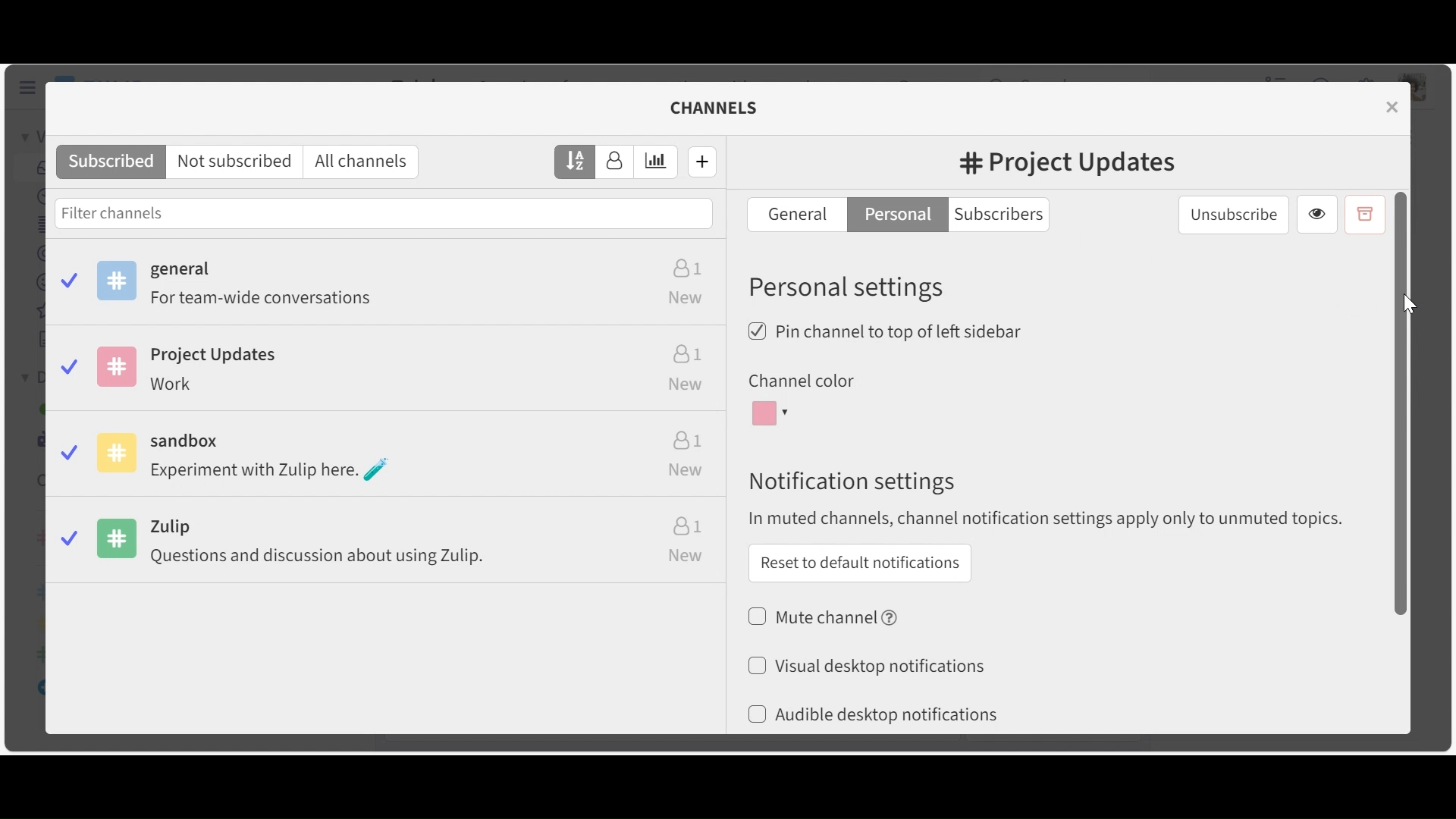  I want to click on (un)select desktop notifications, so click(867, 665).